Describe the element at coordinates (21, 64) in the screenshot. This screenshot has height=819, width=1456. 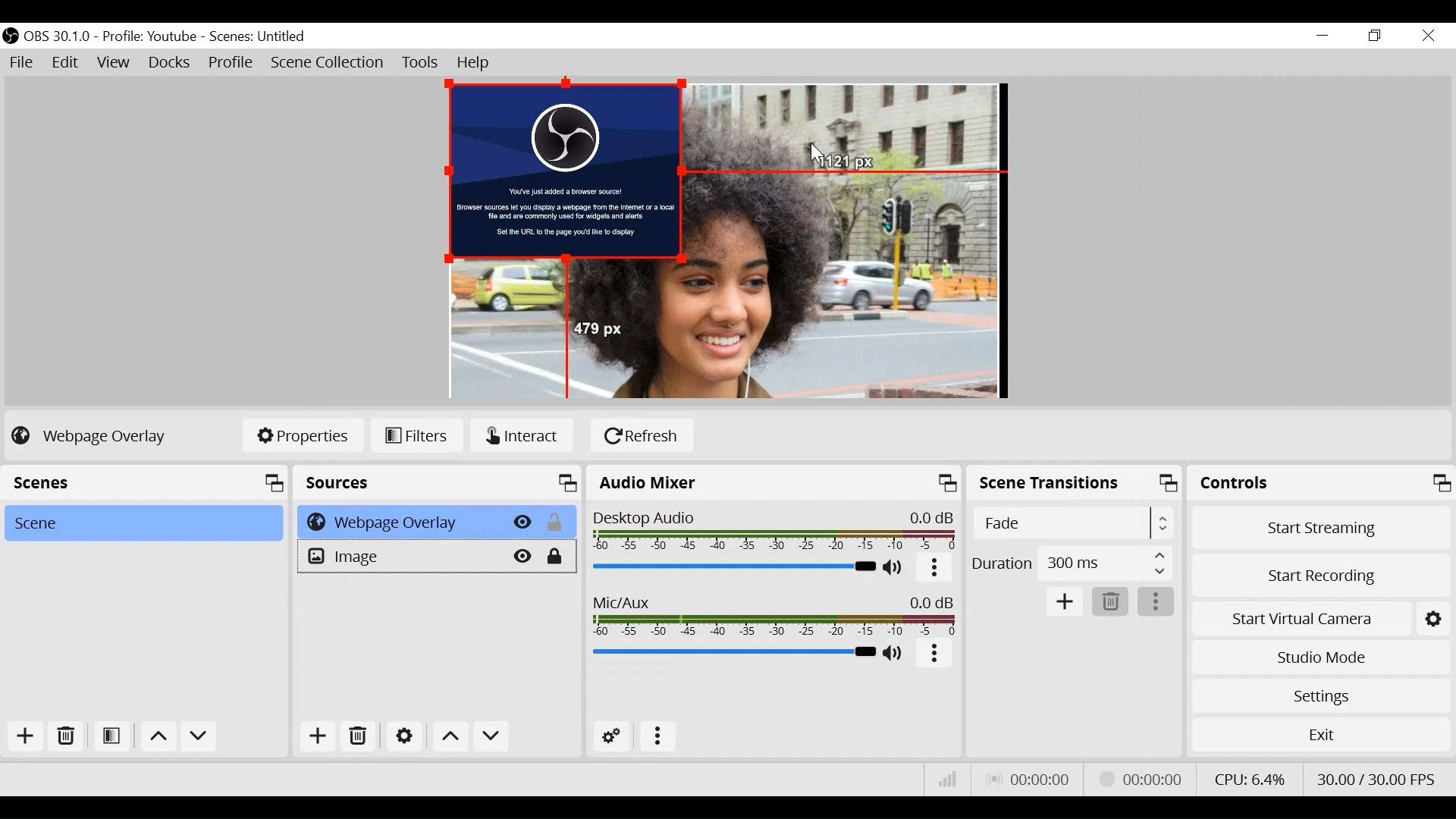
I see `File` at that location.